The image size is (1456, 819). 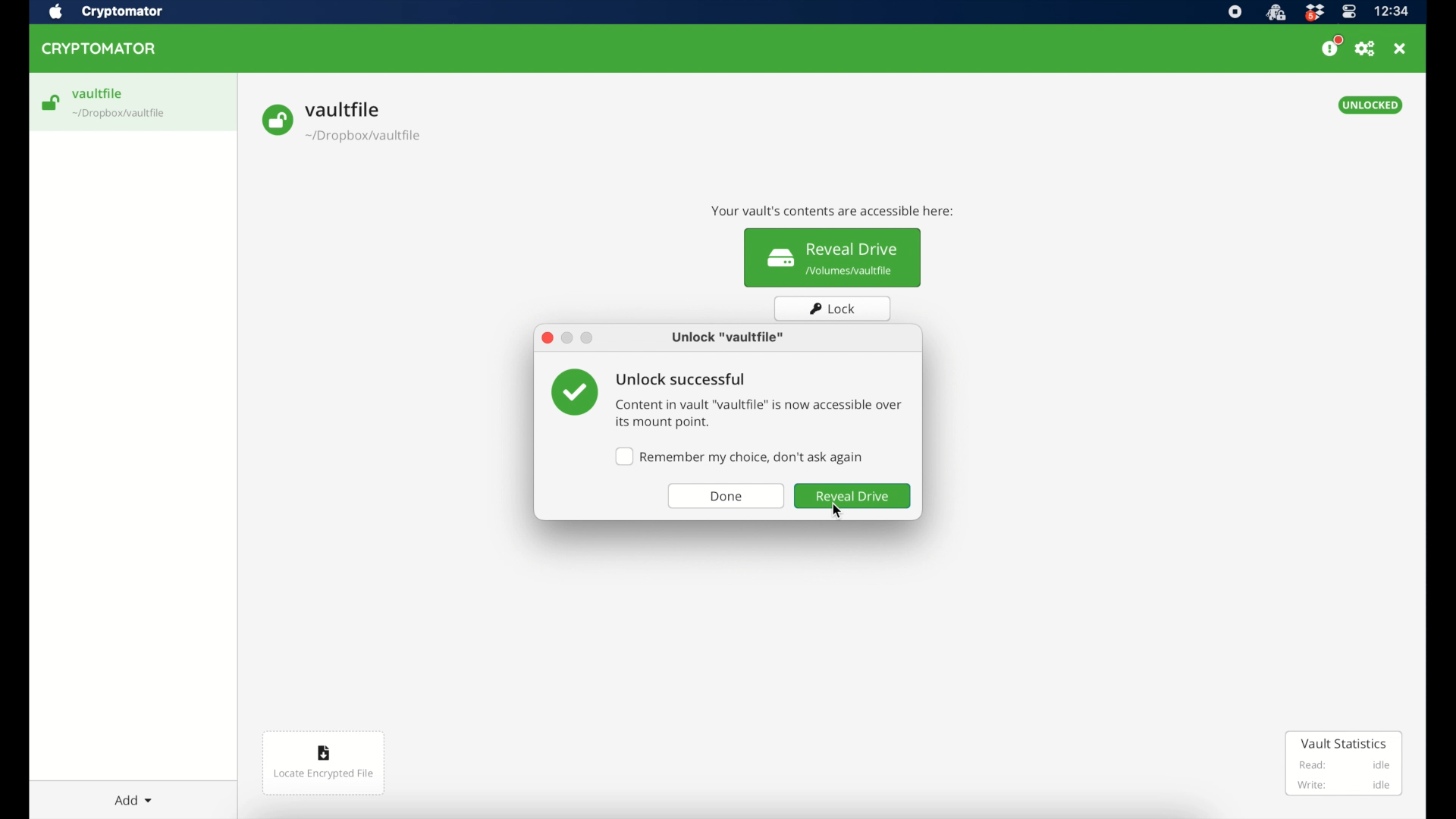 I want to click on preferences, so click(x=1366, y=49).